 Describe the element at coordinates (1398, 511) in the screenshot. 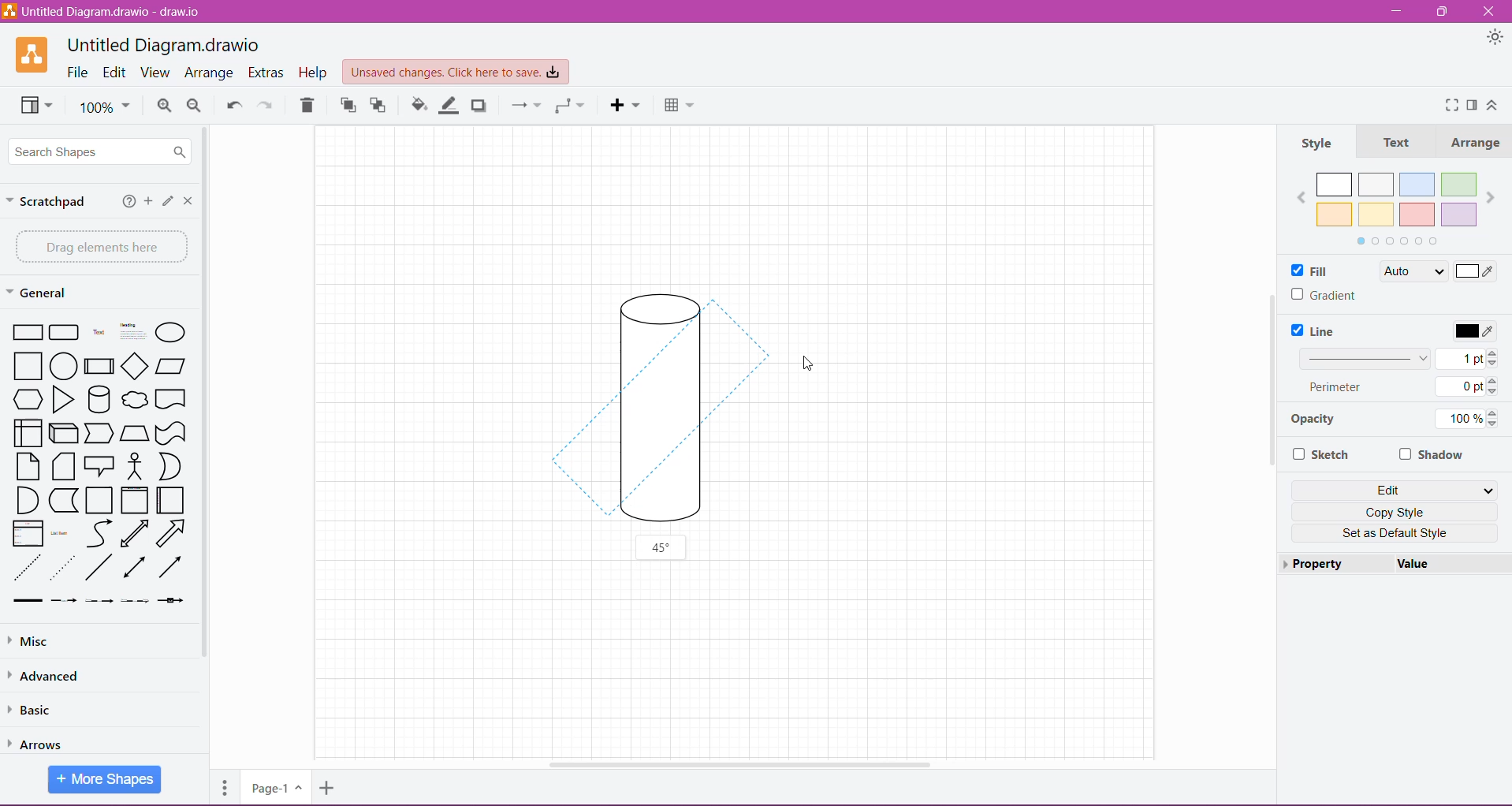

I see `Copy Style` at that location.